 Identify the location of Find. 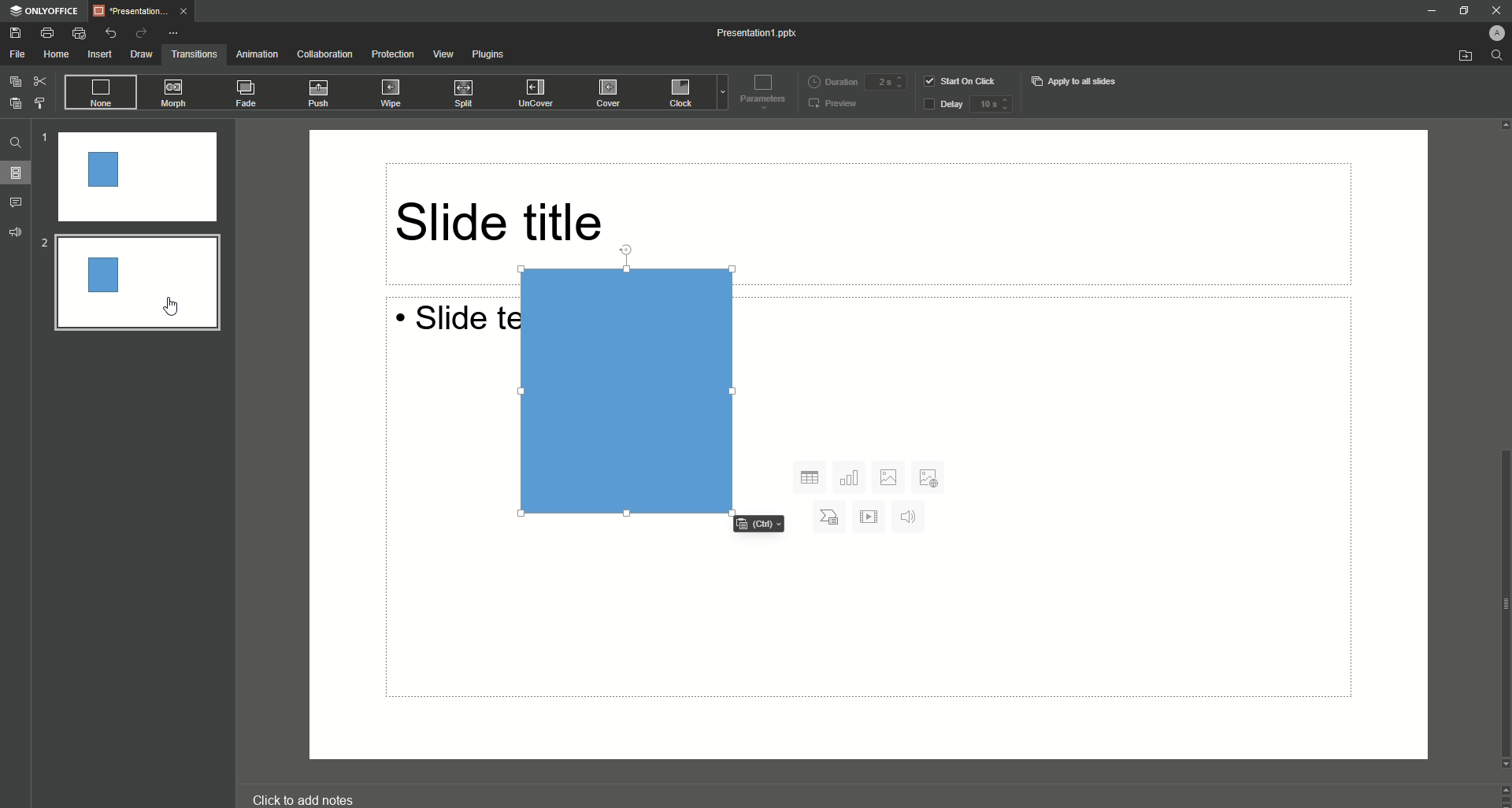
(14, 142).